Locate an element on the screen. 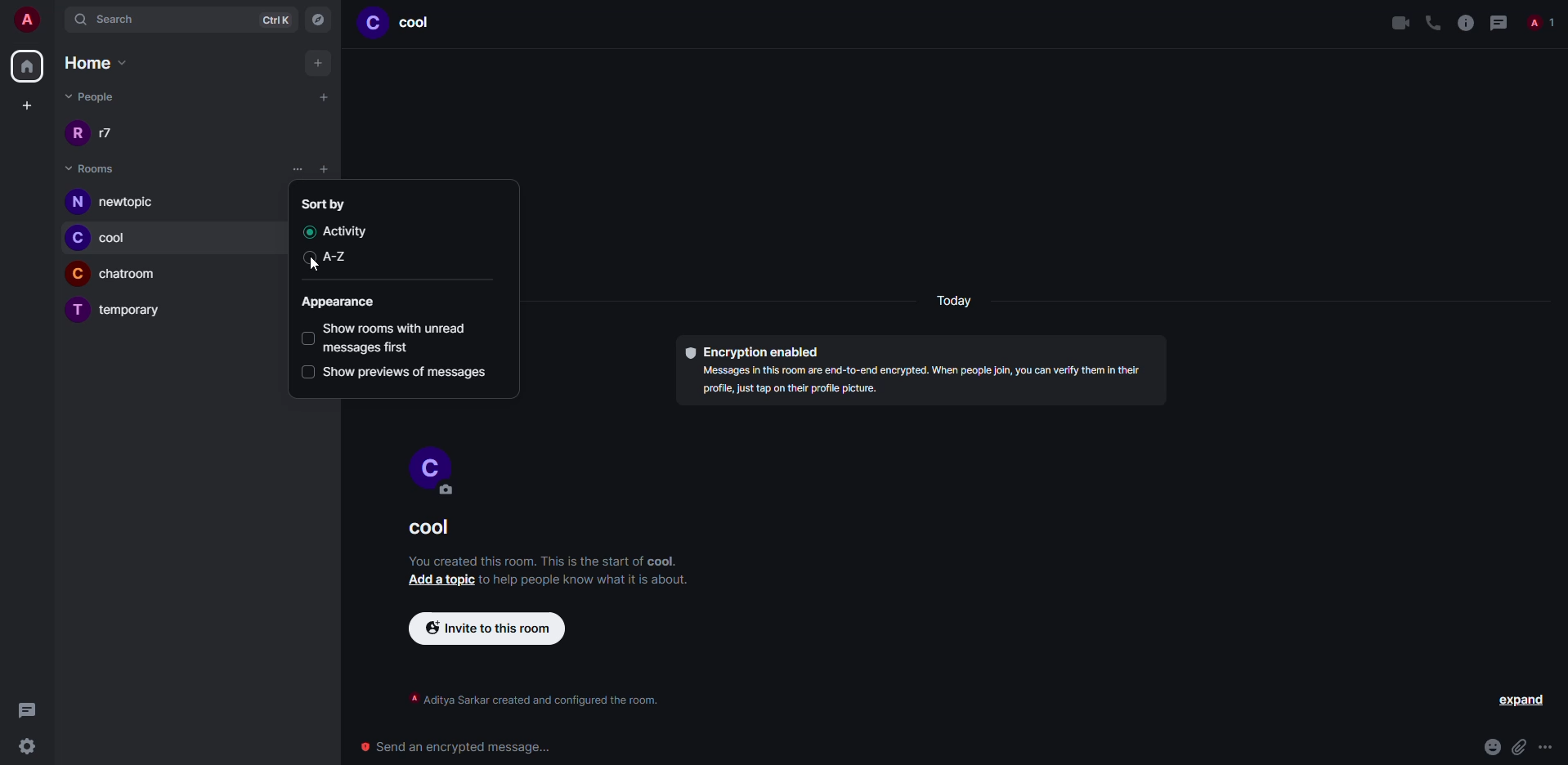  room is located at coordinates (114, 235).